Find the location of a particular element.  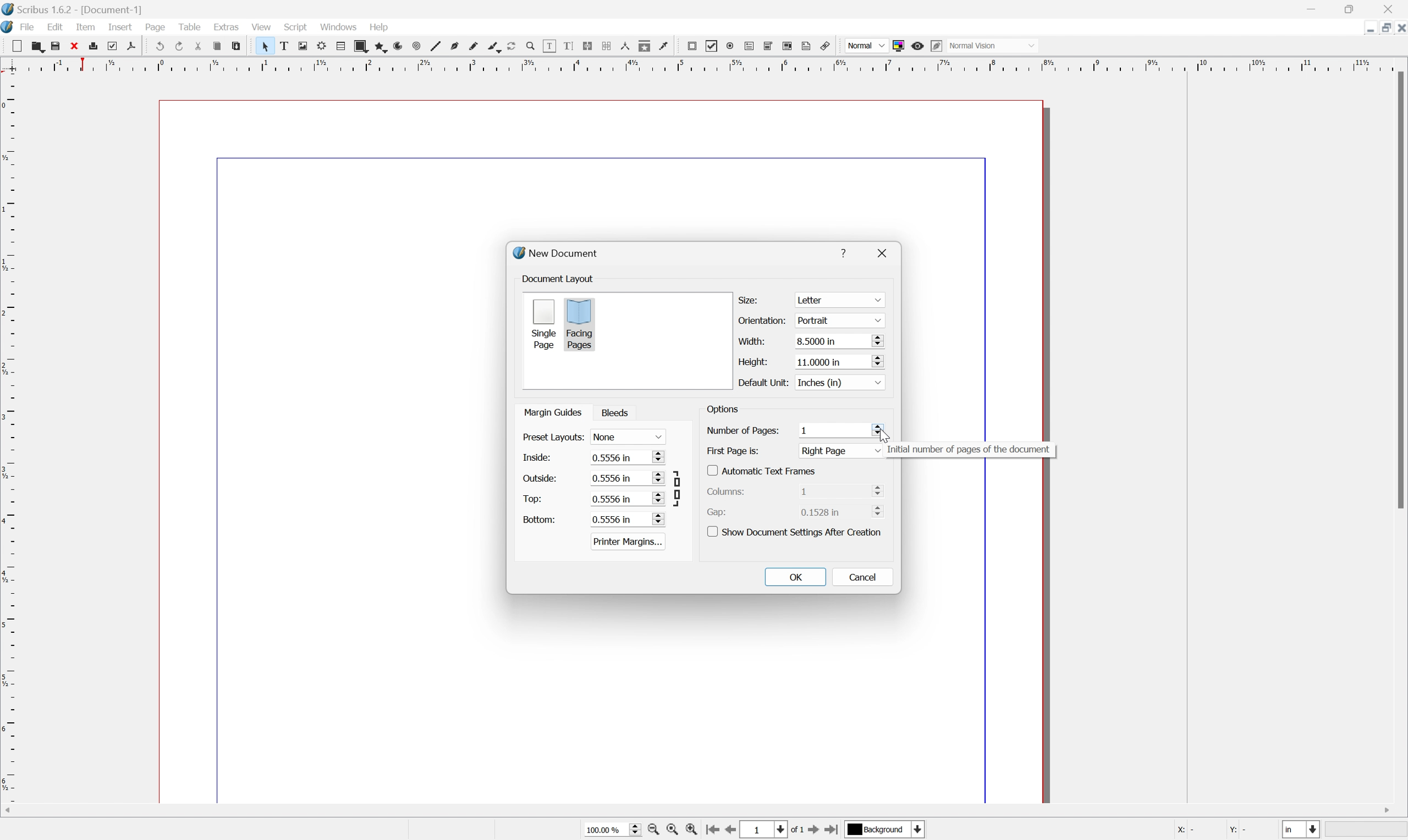

PDF checkbox is located at coordinates (711, 45).